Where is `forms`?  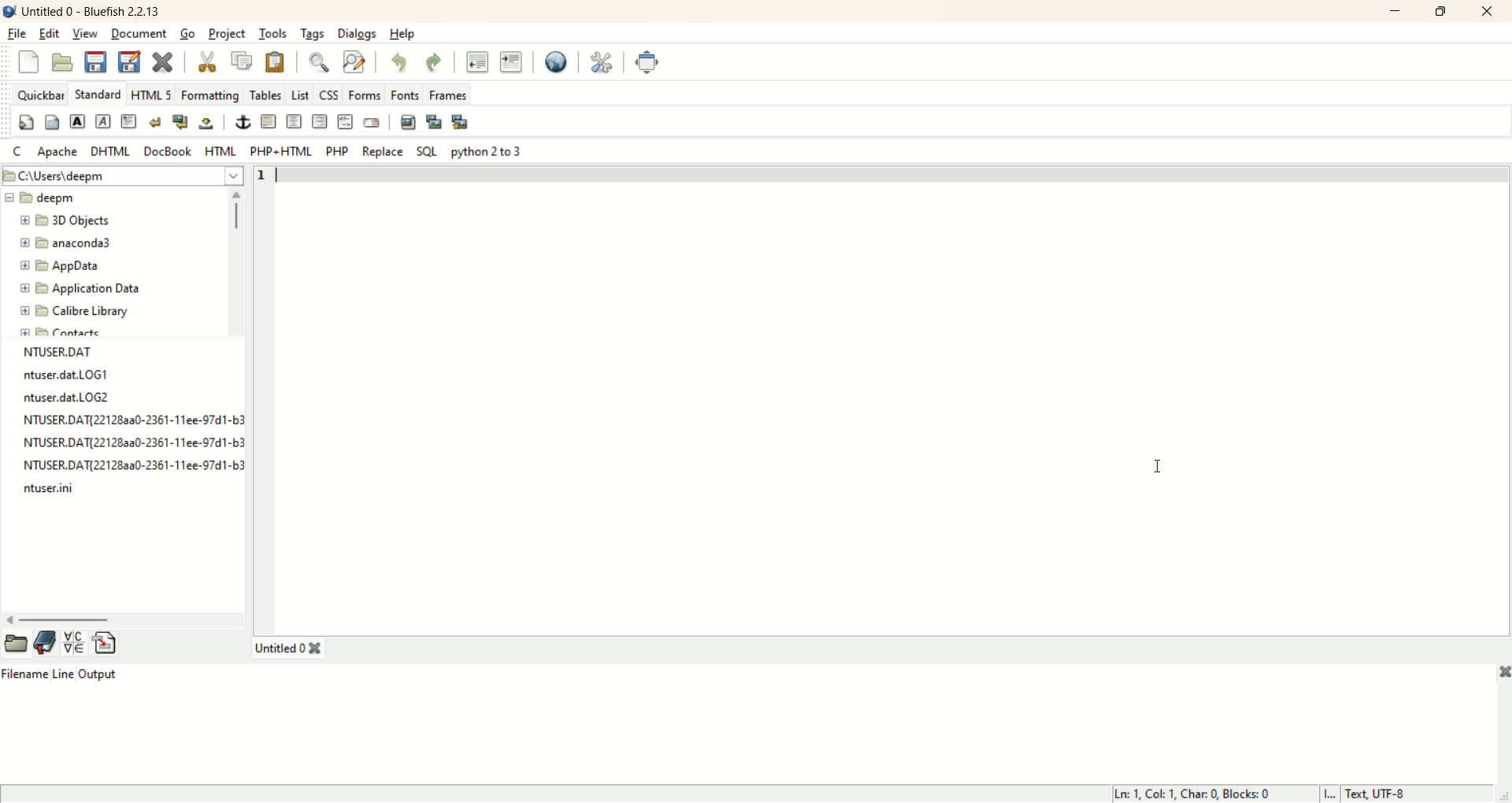
forms is located at coordinates (365, 95).